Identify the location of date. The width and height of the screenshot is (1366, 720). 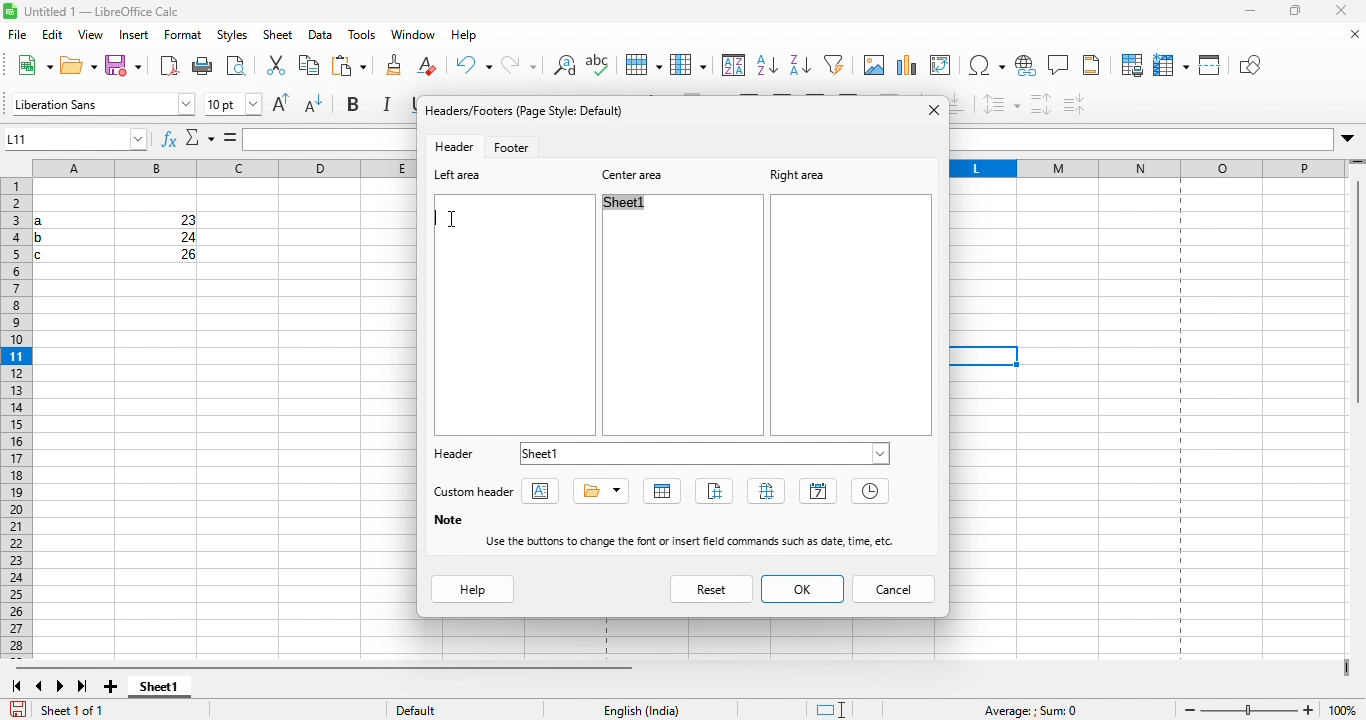
(817, 492).